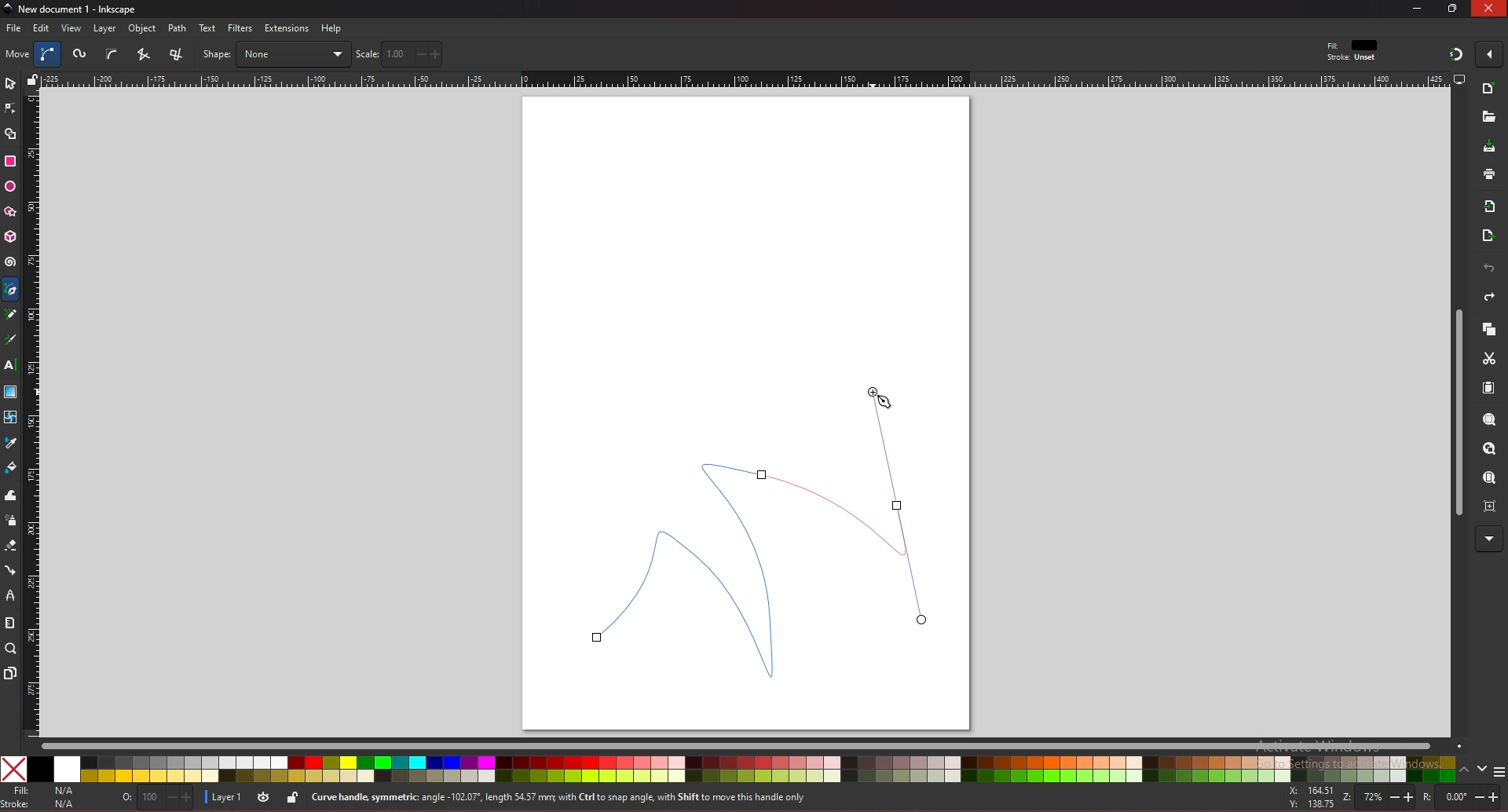 The image size is (1508, 812). I want to click on zoom page, so click(1488, 479).